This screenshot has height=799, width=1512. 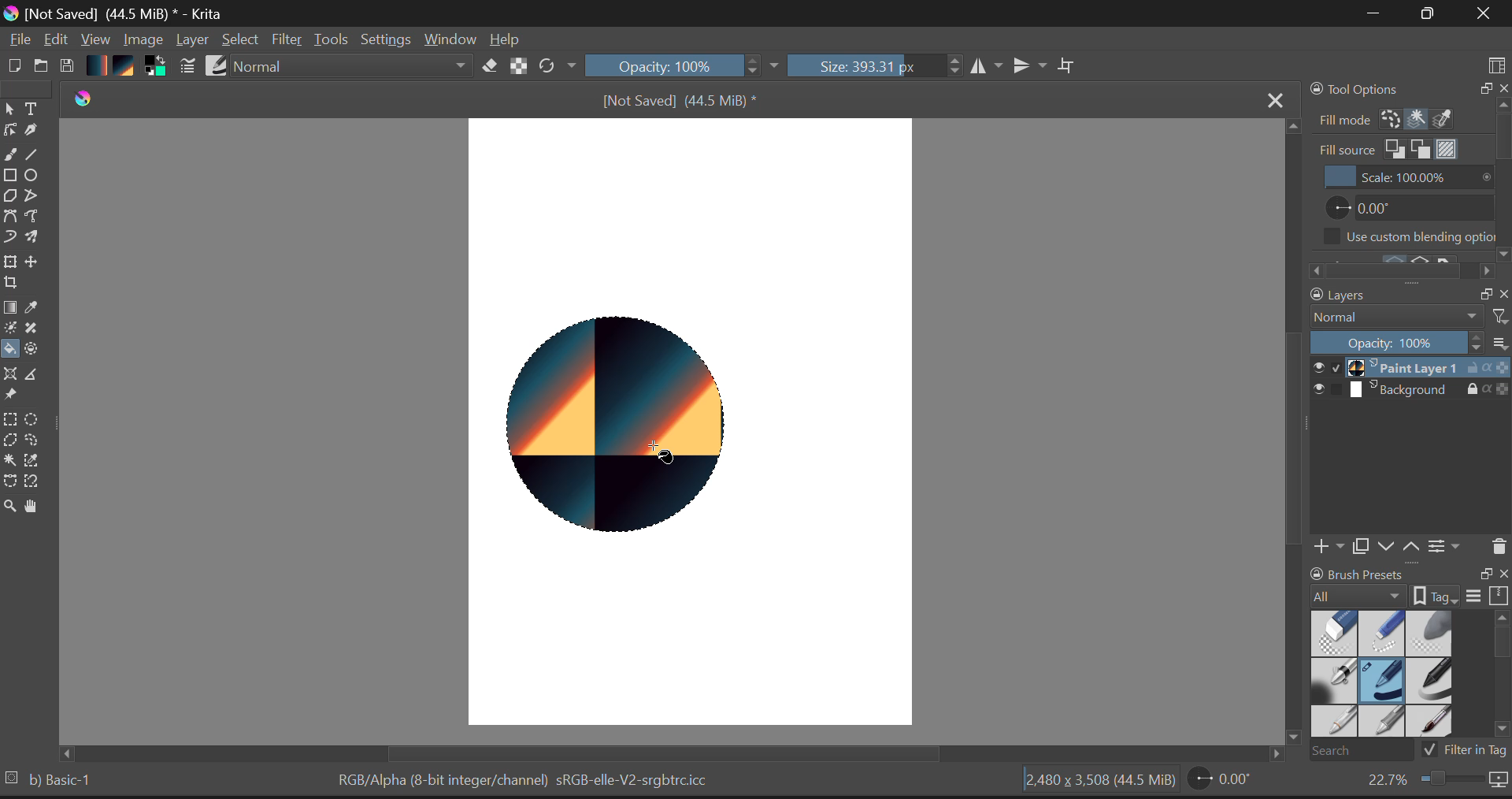 What do you see at coordinates (35, 199) in the screenshot?
I see `Polyline` at bounding box center [35, 199].